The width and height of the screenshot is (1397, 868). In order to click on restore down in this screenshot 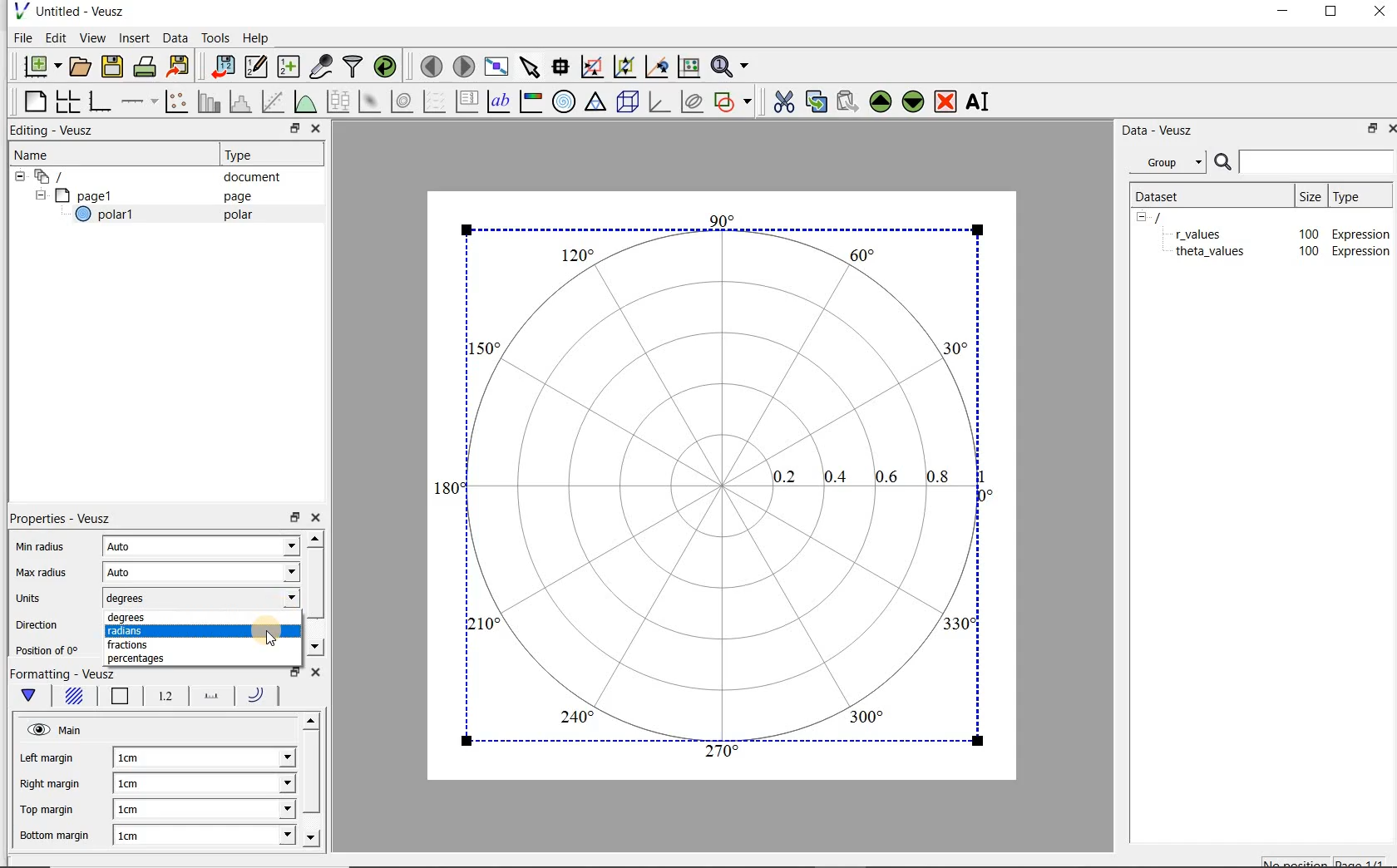, I will do `click(292, 670)`.